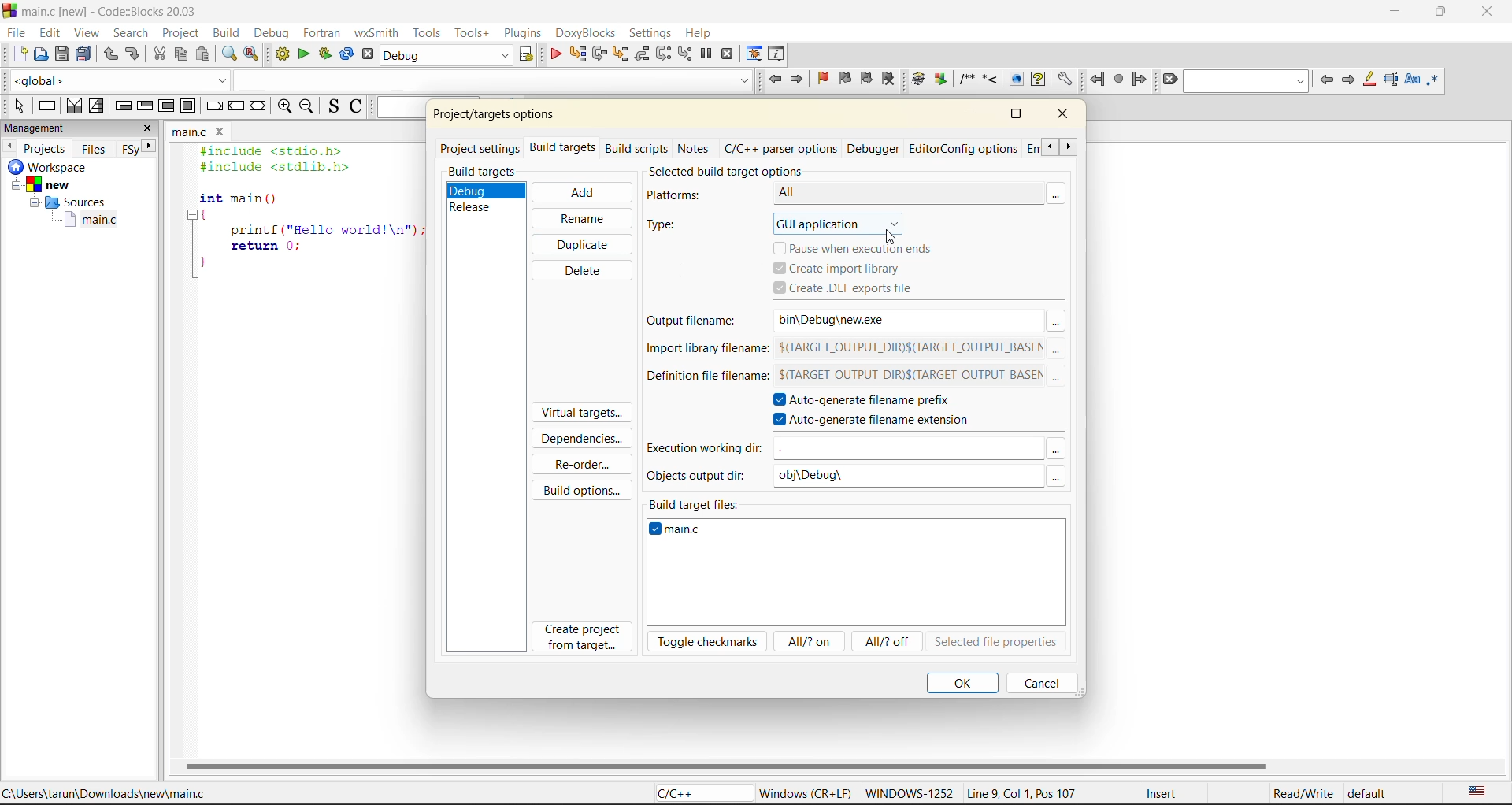 This screenshot has width=1512, height=805. Describe the element at coordinates (820, 477) in the screenshot. I see `obj\Debug\` at that location.